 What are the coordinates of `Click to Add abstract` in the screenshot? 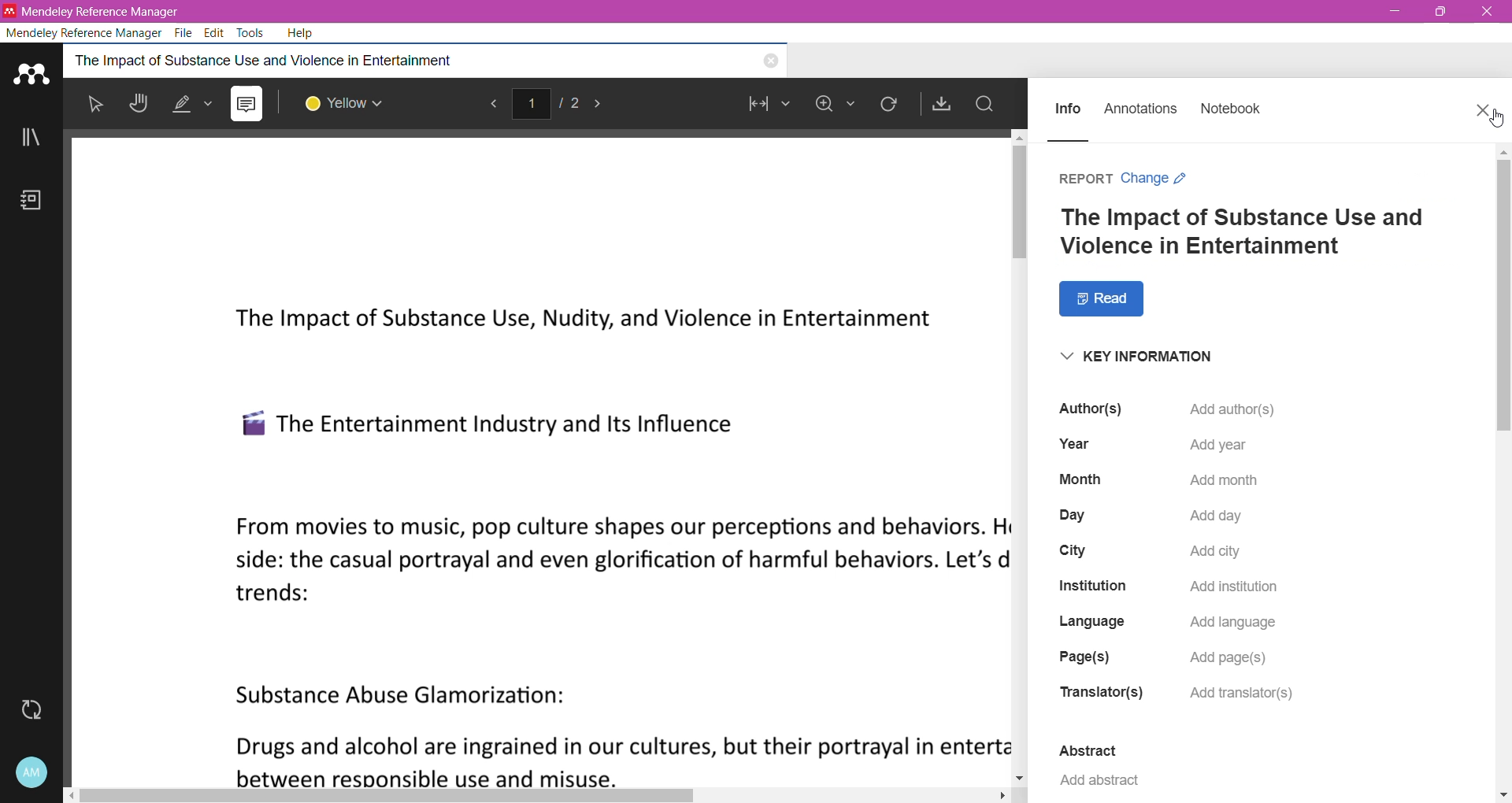 It's located at (1099, 783).